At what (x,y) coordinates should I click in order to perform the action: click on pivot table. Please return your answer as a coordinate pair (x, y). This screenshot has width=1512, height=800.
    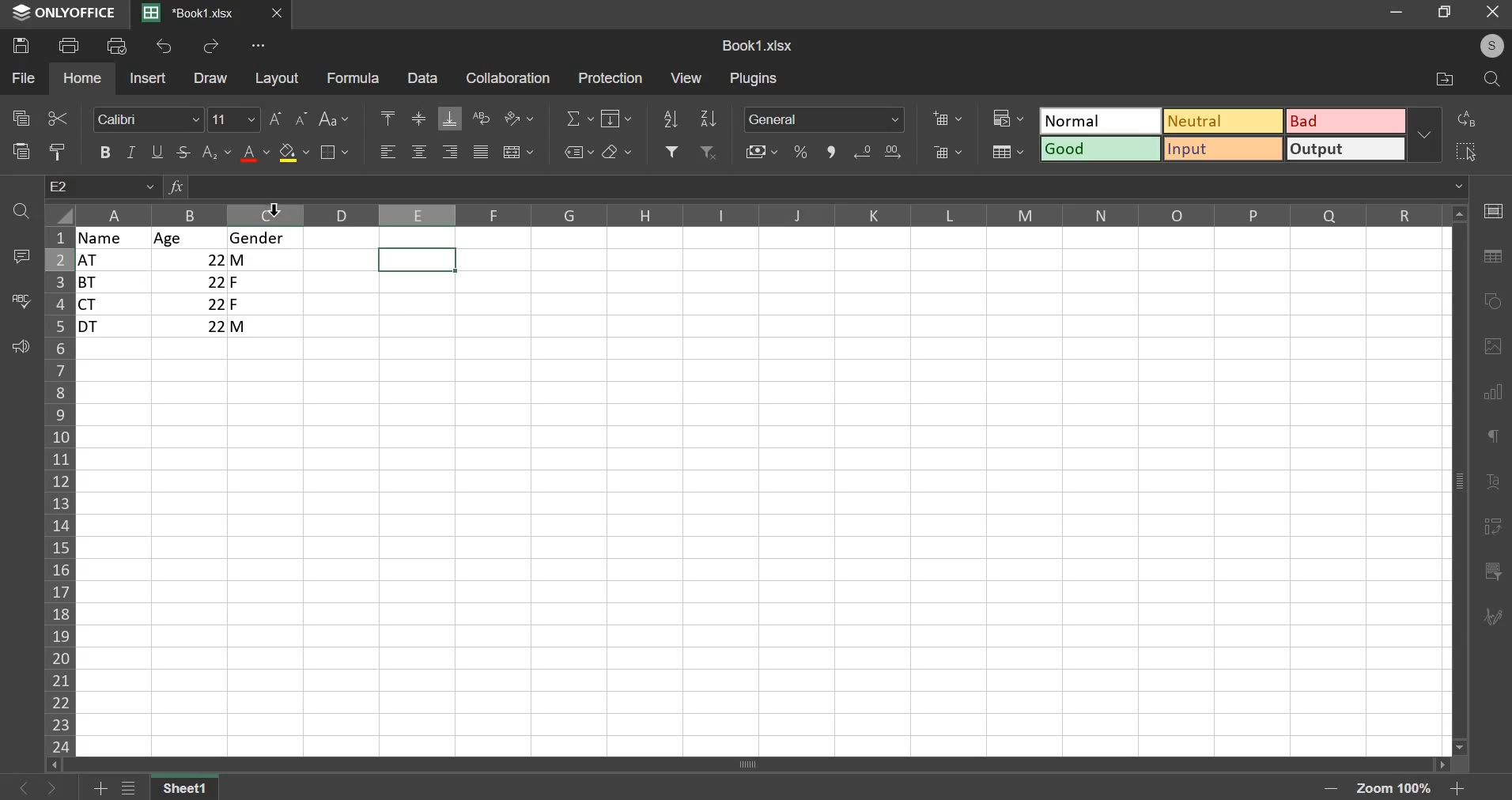
    Looking at the image, I should click on (1491, 529).